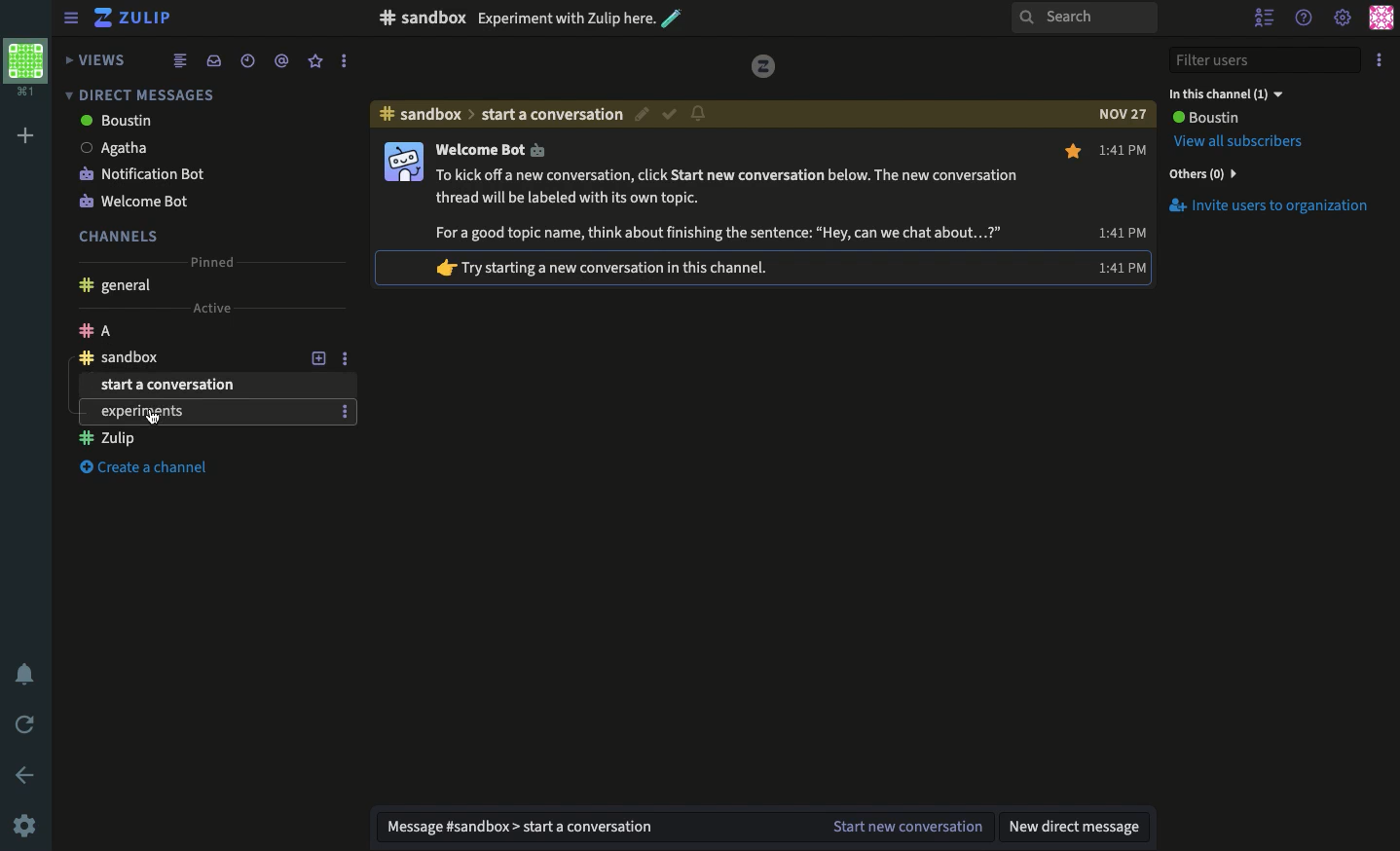 This screenshot has height=851, width=1400. I want to click on Edit, so click(644, 117).